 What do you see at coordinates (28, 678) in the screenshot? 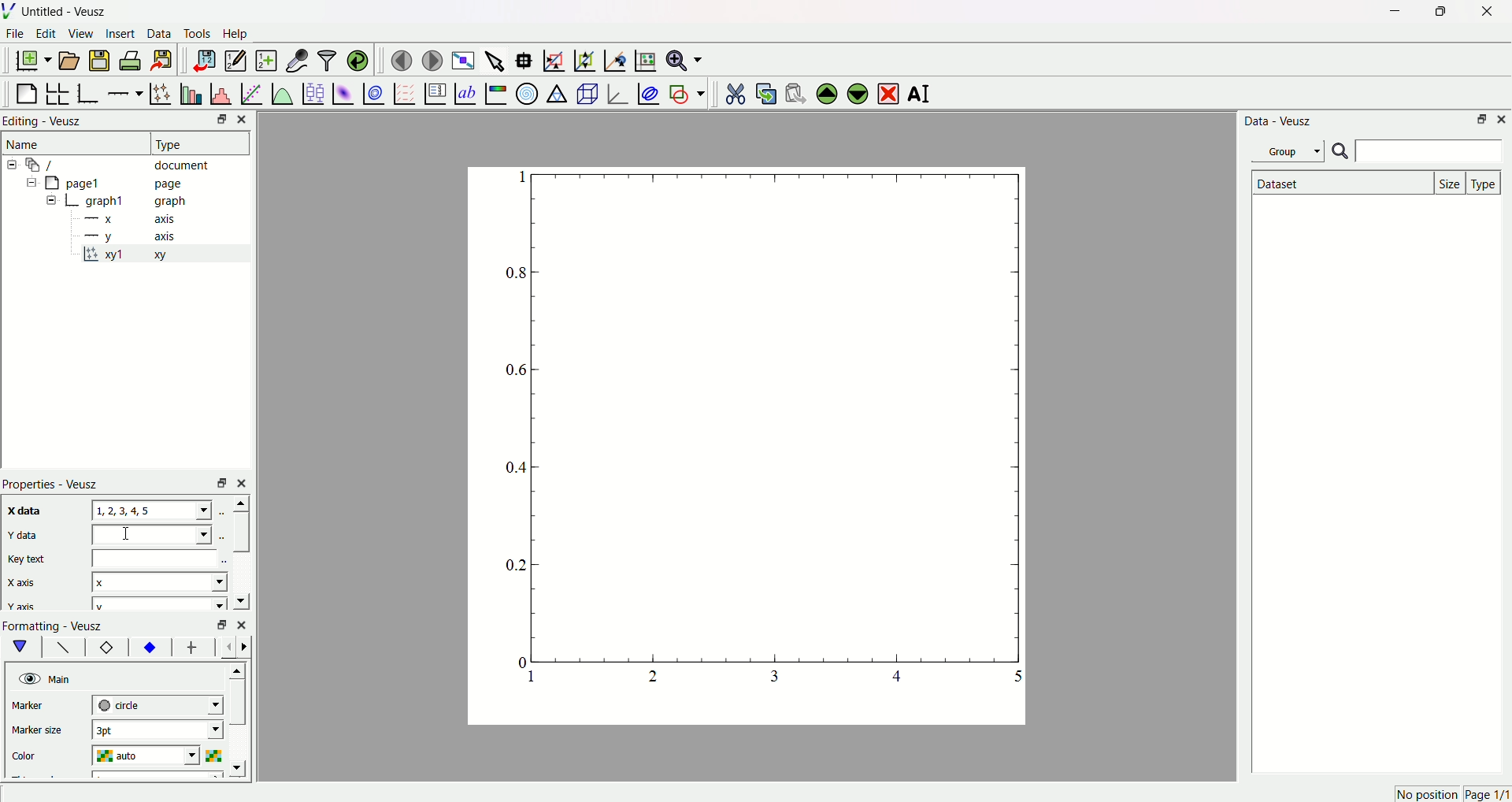
I see `hide/unhide` at bounding box center [28, 678].